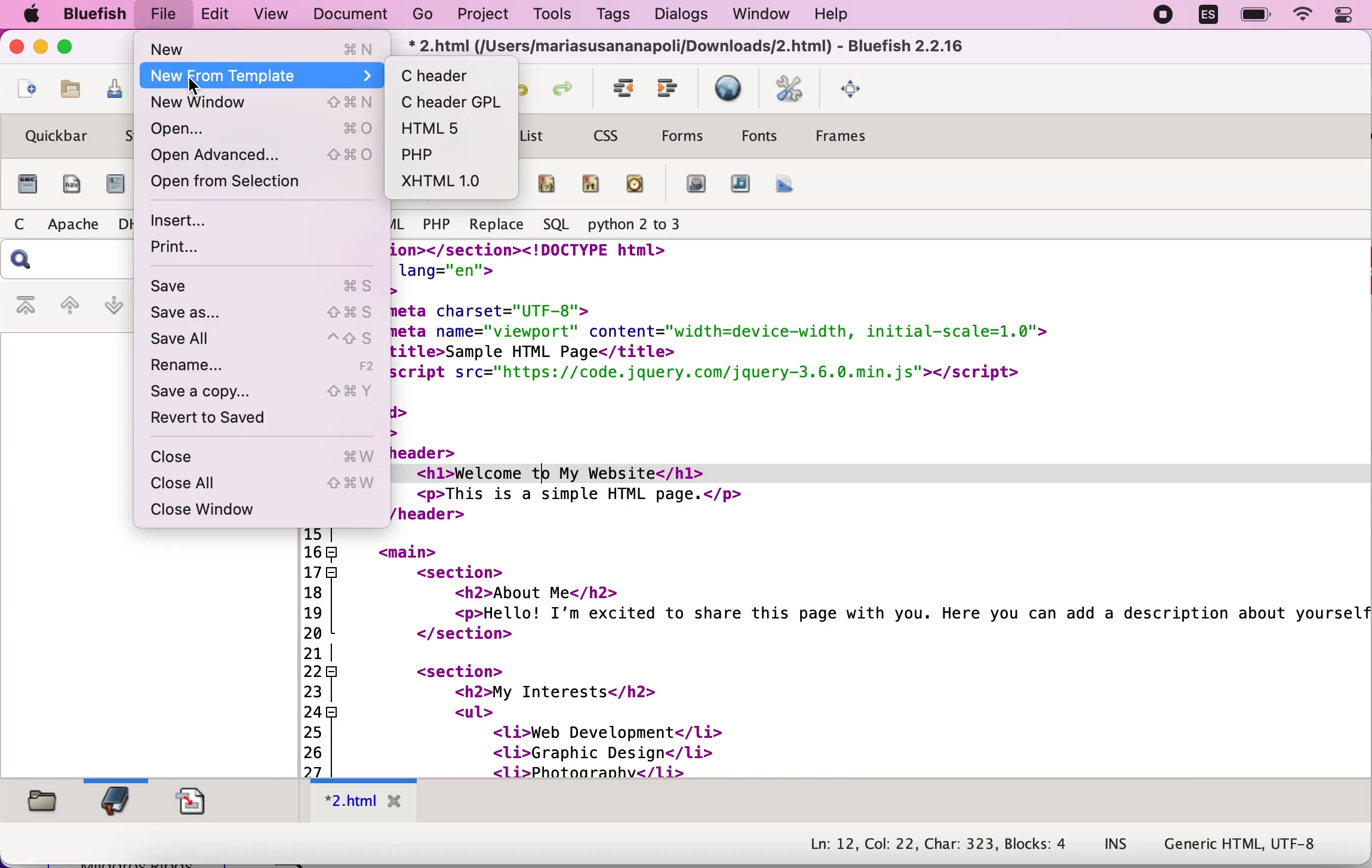 The image size is (1372, 868). What do you see at coordinates (692, 47) in the screenshot?
I see `* 2.html (/Users/mariasusananapoli/Downloads/2.html) - Bluefish 2.2.16` at bounding box center [692, 47].